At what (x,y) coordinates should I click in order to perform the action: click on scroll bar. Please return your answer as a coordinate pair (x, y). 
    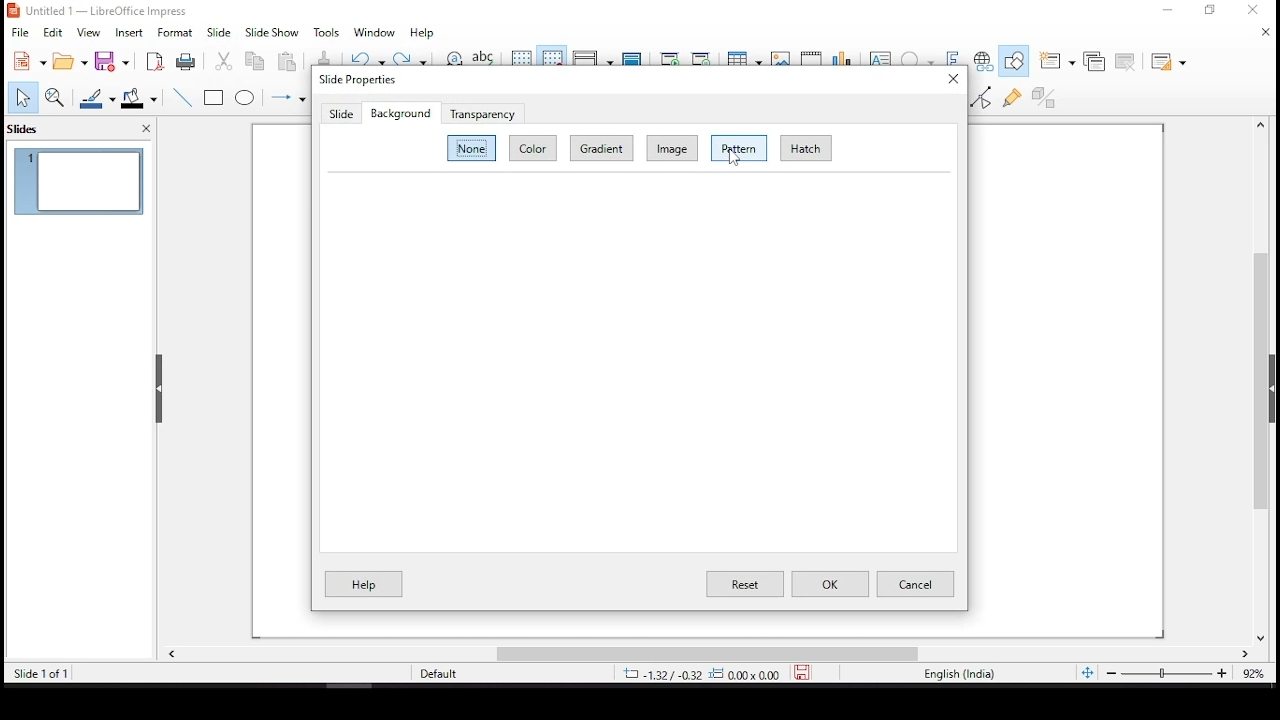
    Looking at the image, I should click on (707, 653).